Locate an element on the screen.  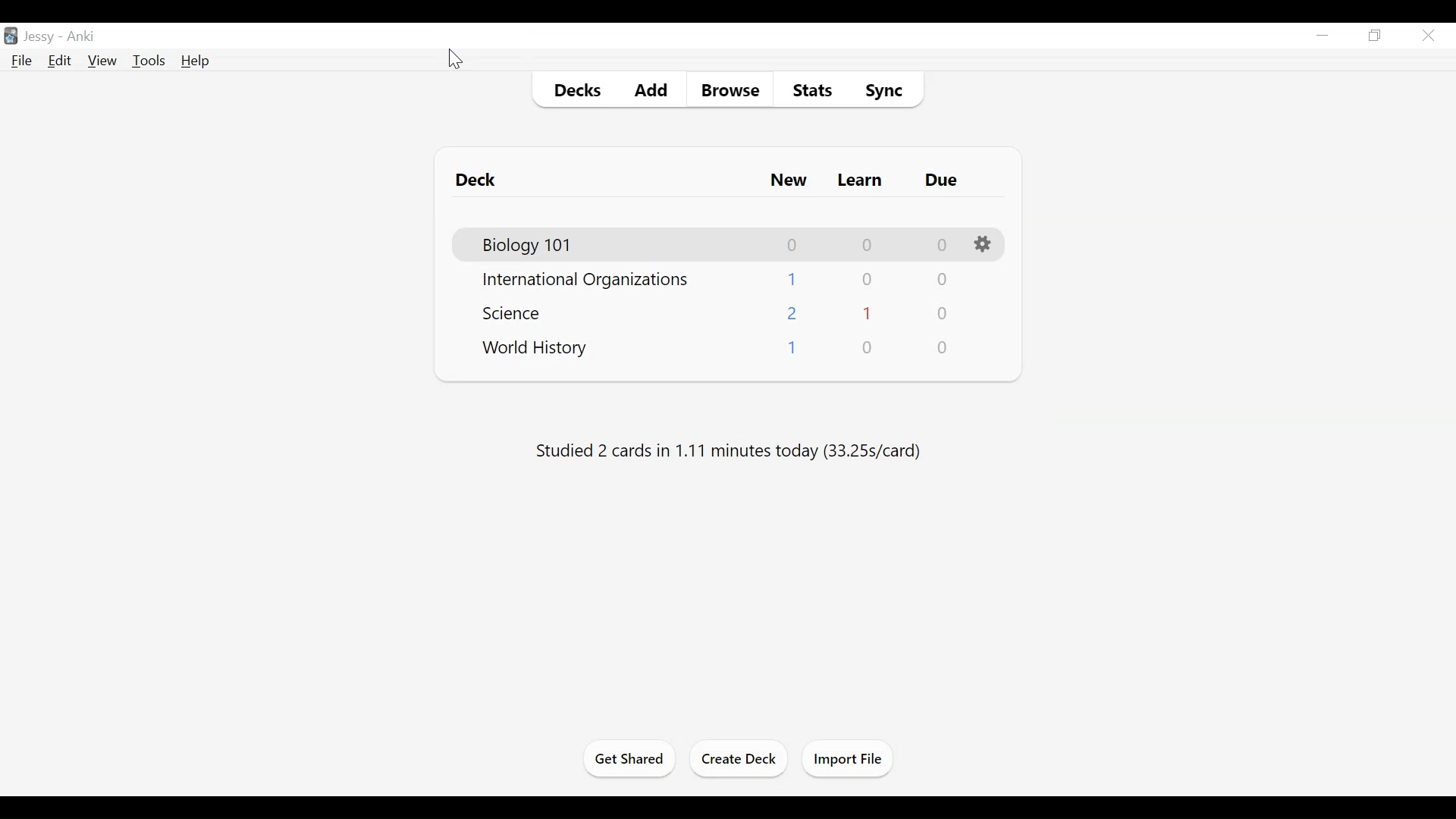
Anki Desktop icon is located at coordinates (11, 36).